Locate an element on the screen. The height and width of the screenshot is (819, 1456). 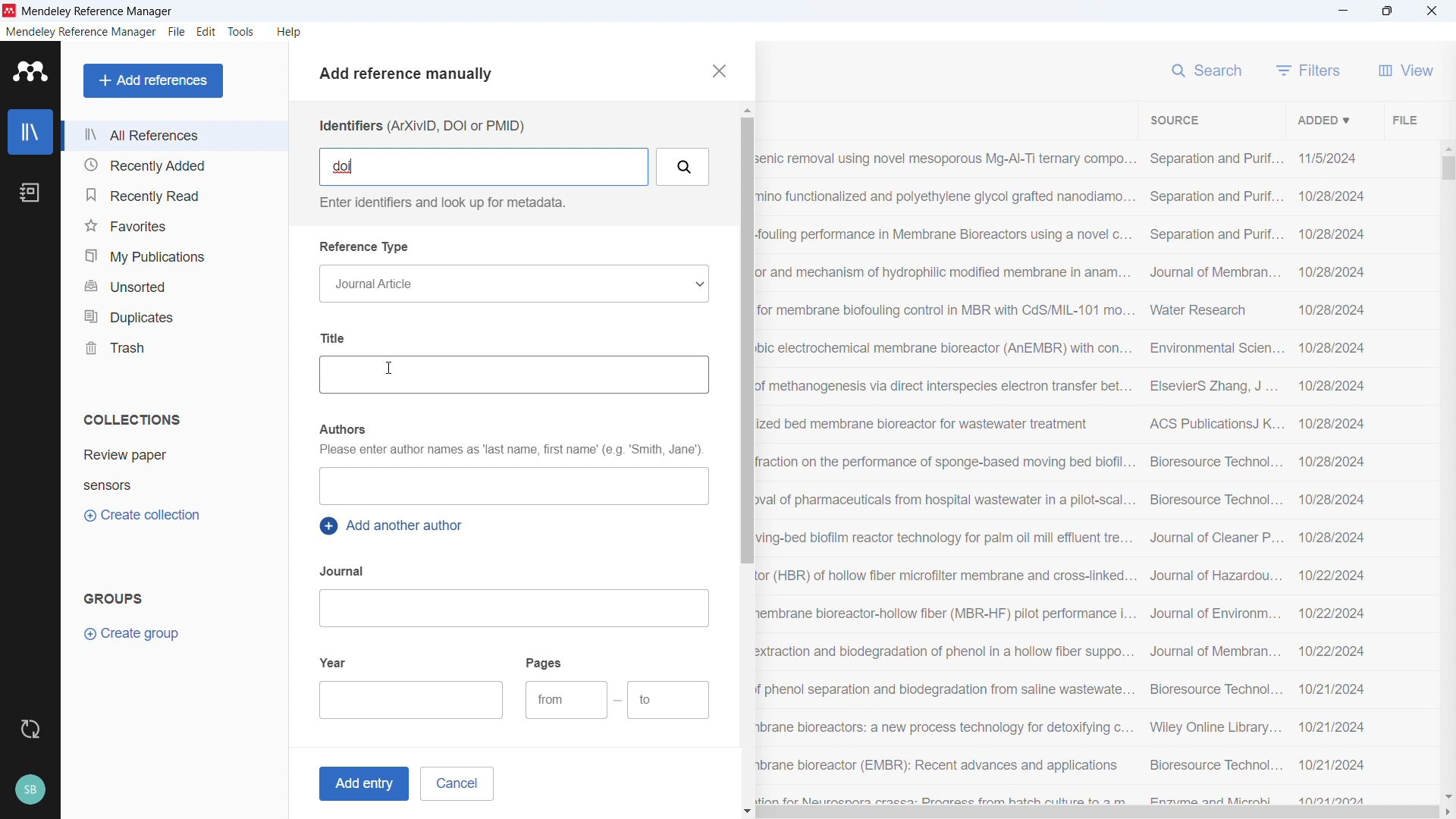
Edit  is located at coordinates (207, 32).